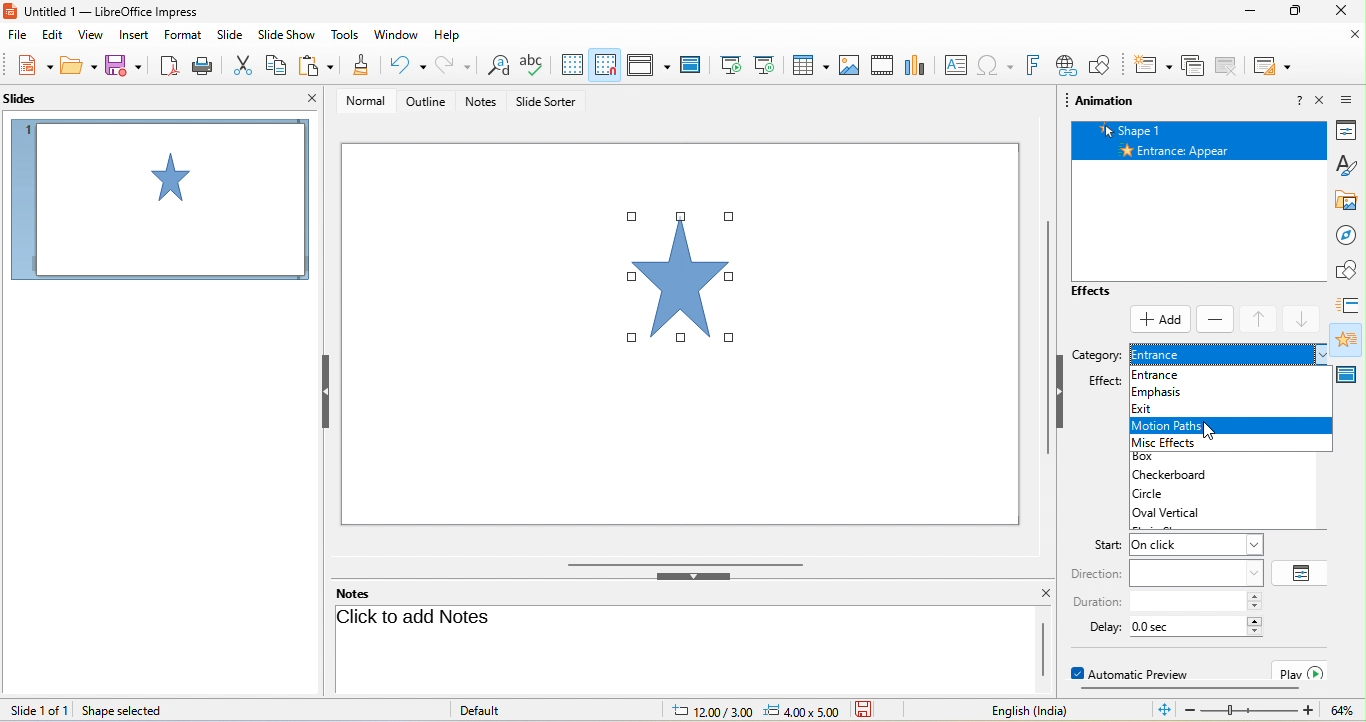  I want to click on notes, so click(483, 102).